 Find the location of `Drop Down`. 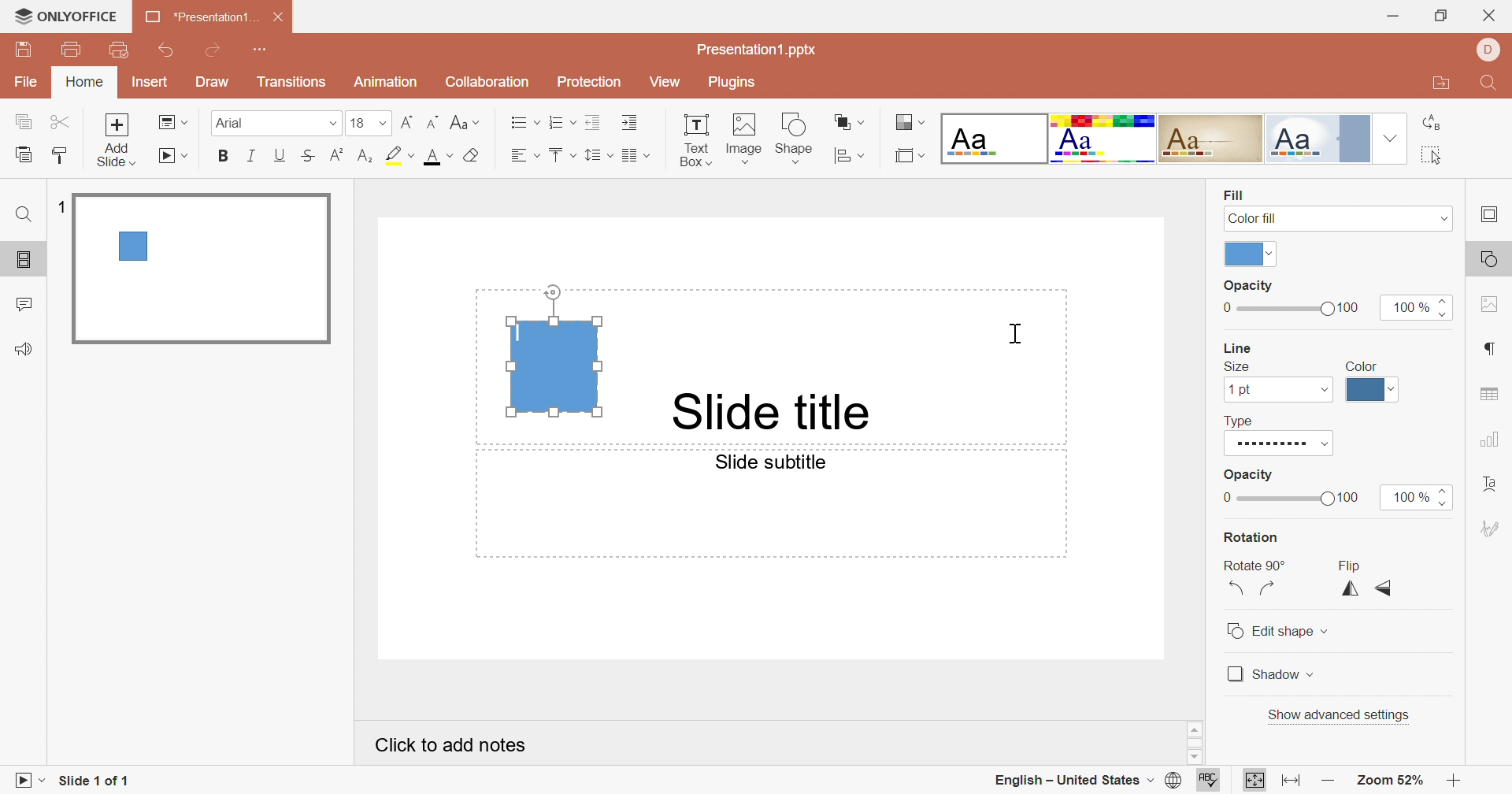

Drop Down is located at coordinates (1313, 675).